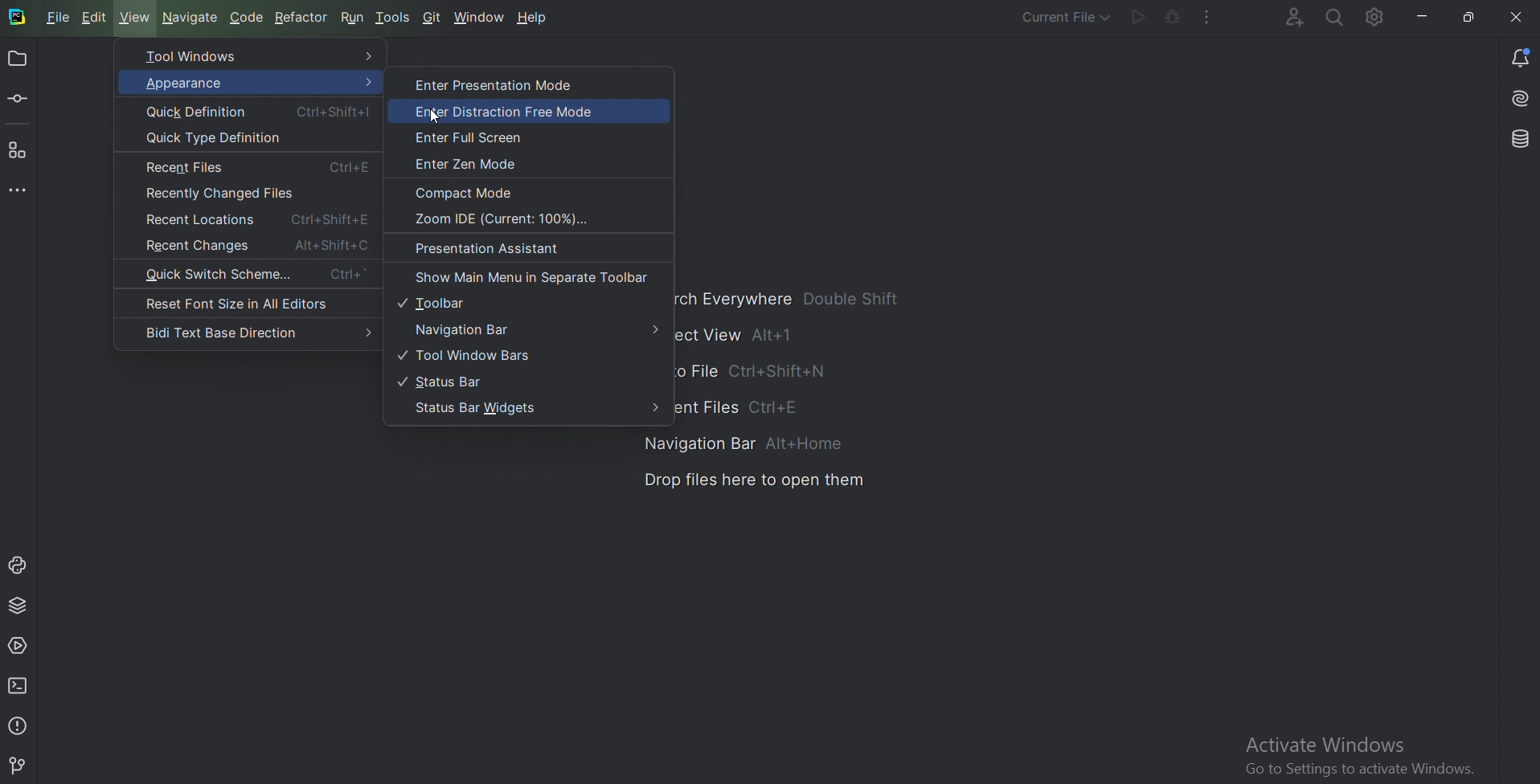 This screenshot has height=784, width=1540. Describe the element at coordinates (260, 112) in the screenshot. I see `Quick definition` at that location.